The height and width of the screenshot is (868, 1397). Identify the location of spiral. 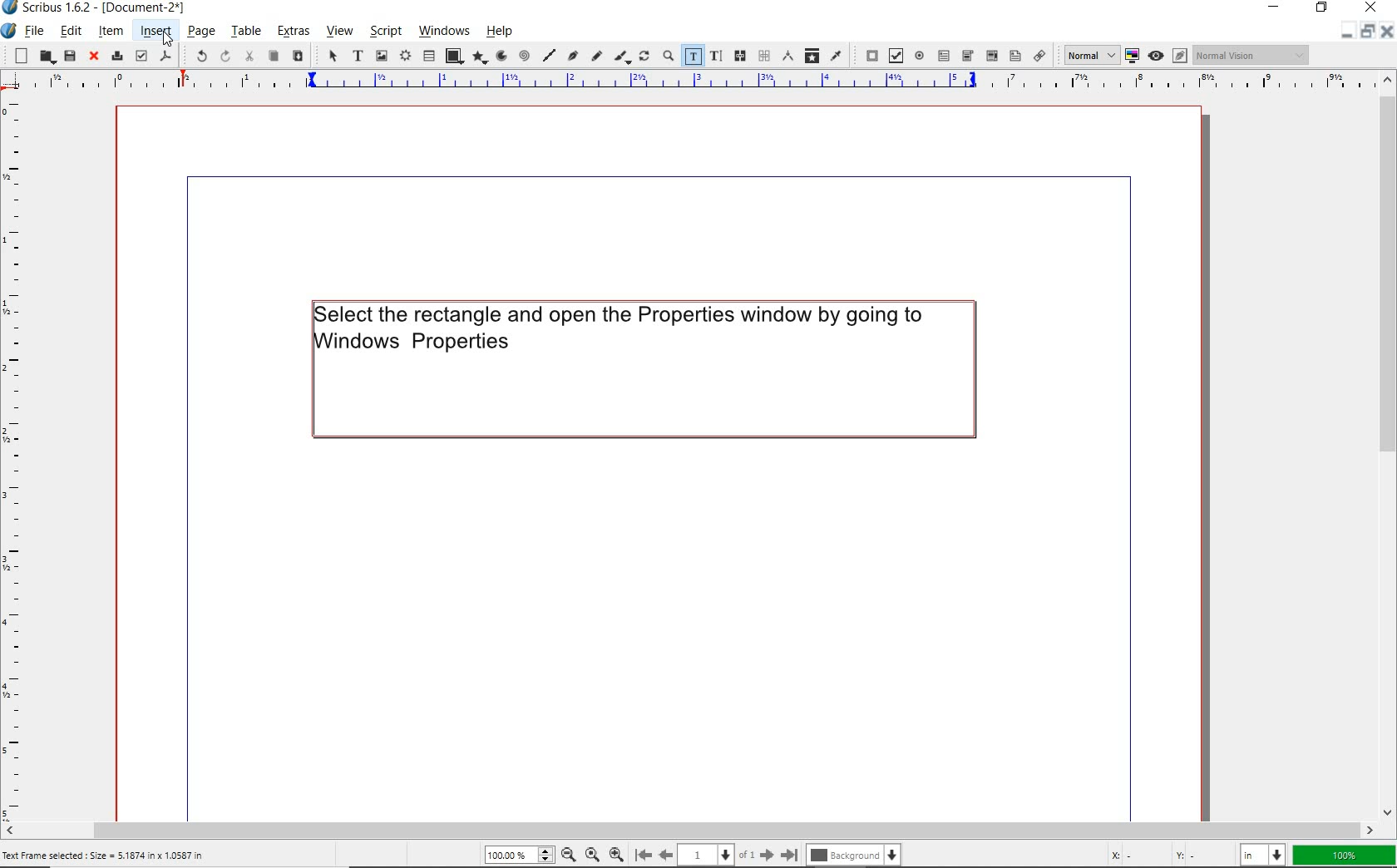
(524, 55).